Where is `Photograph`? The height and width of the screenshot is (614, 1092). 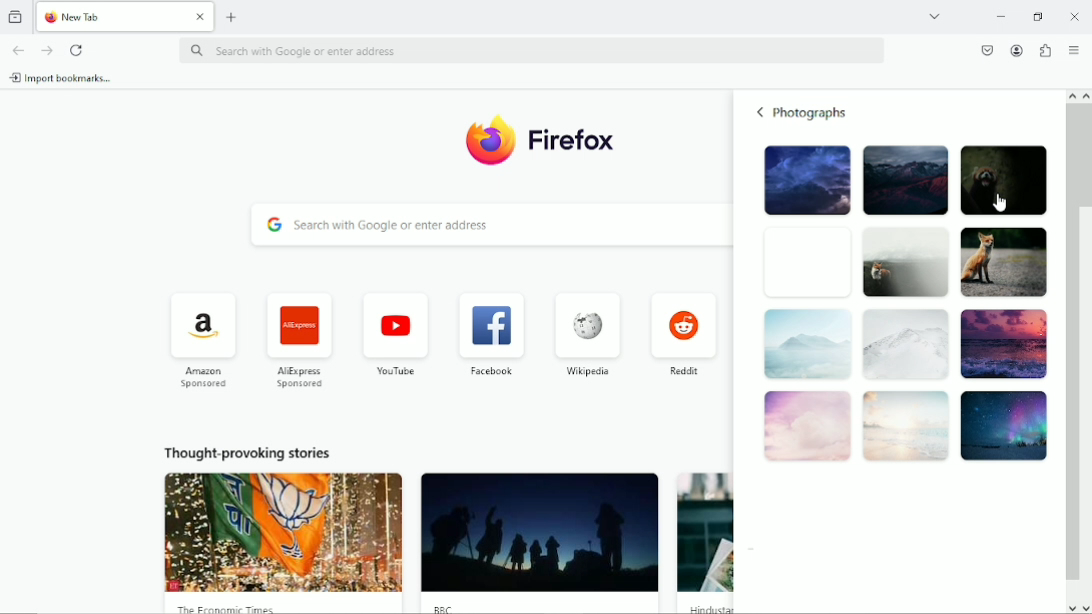
Photograph is located at coordinates (803, 263).